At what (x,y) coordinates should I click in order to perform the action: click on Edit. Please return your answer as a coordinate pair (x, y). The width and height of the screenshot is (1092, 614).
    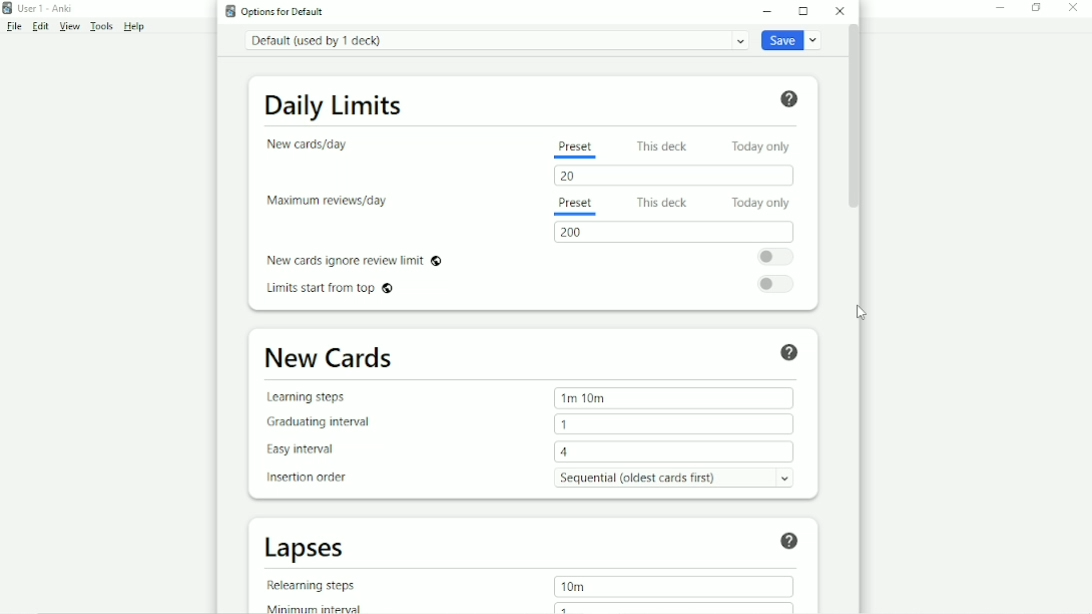
    Looking at the image, I should click on (41, 26).